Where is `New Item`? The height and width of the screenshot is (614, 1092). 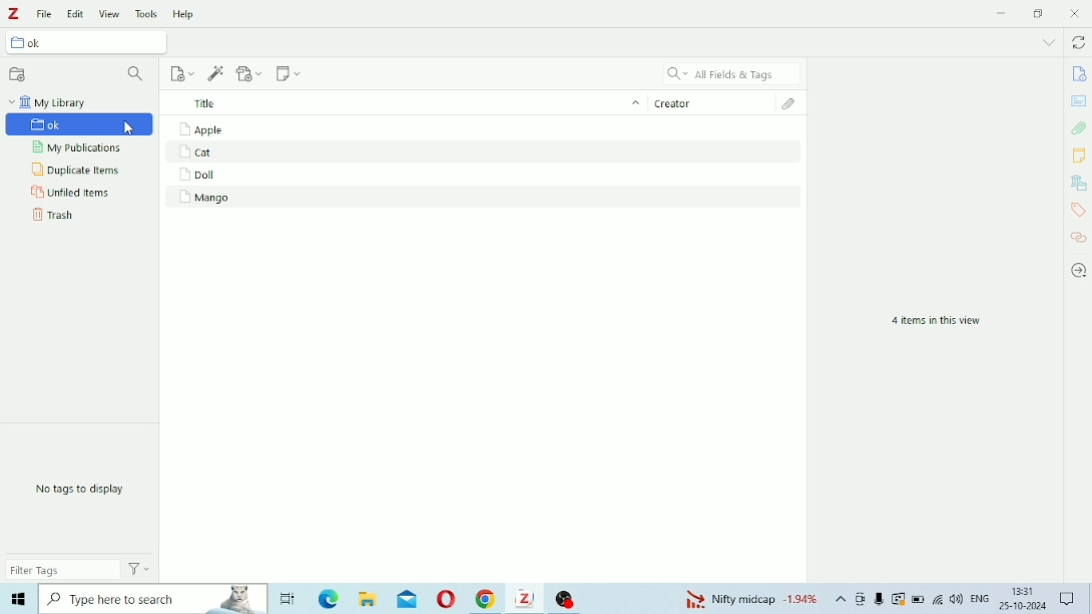 New Item is located at coordinates (183, 74).